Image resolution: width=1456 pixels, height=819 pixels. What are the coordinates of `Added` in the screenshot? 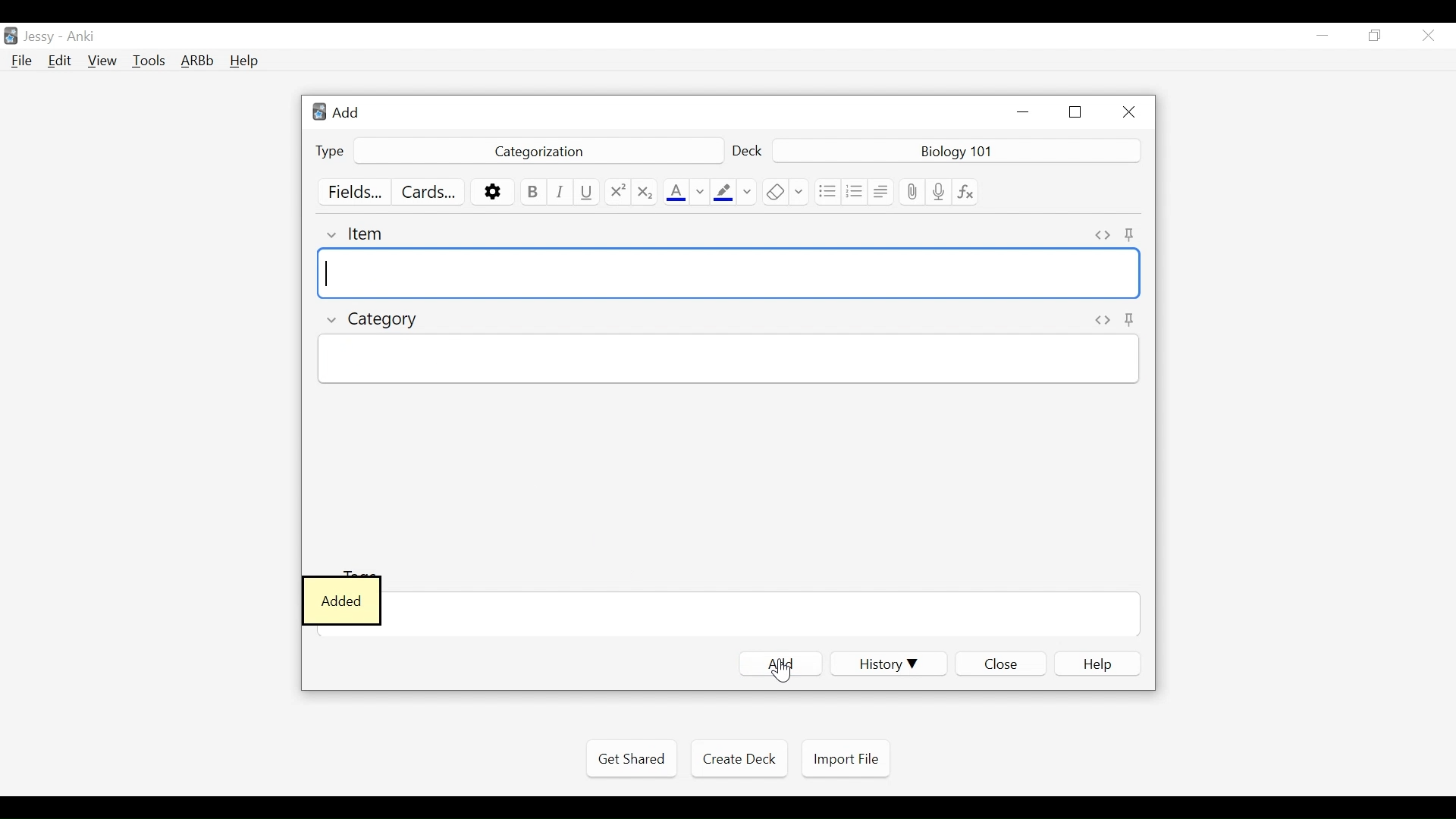 It's located at (342, 602).